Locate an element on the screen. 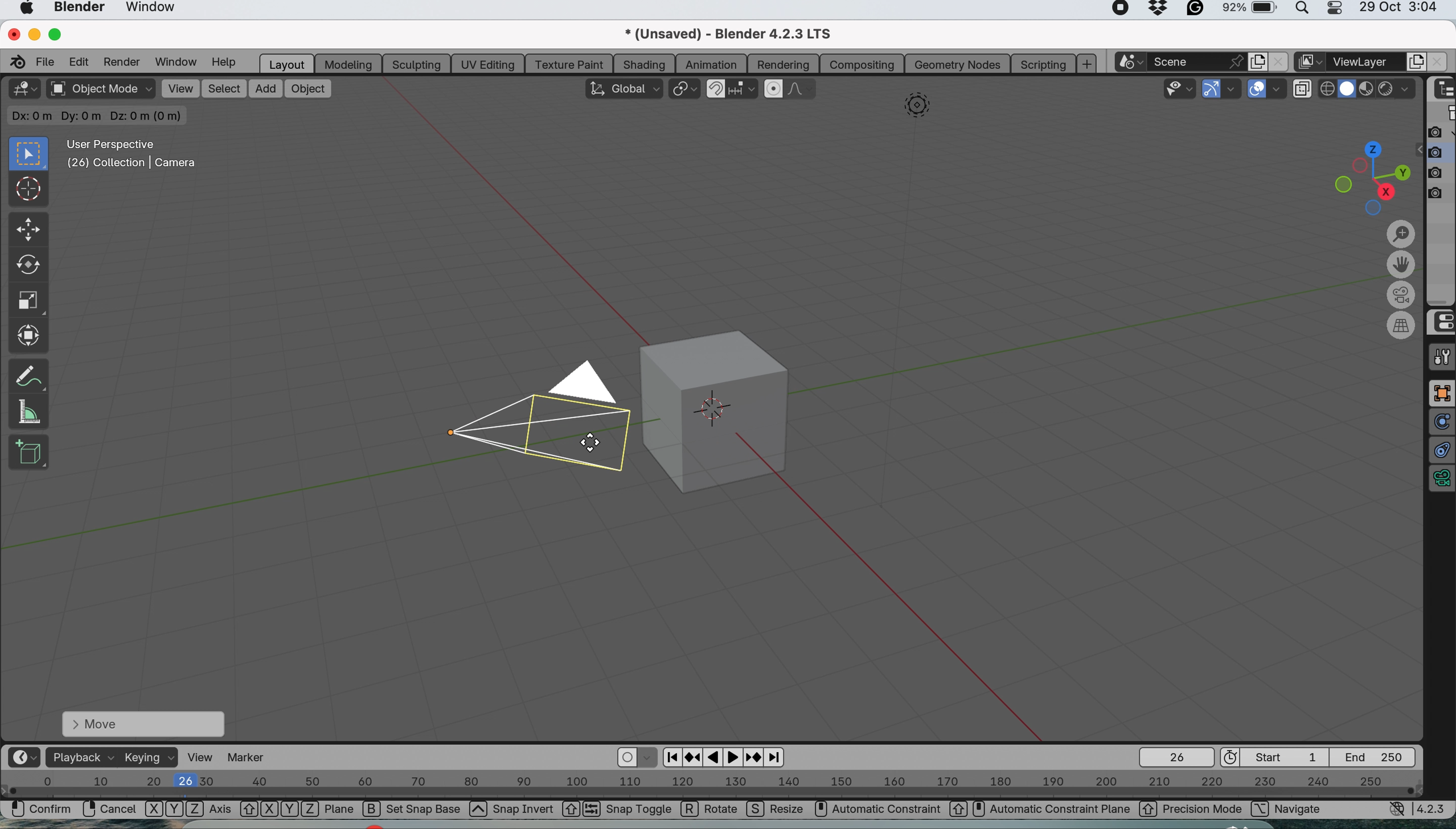 This screenshot has width=1456, height=829. drop down is located at coordinates (1398, 91).